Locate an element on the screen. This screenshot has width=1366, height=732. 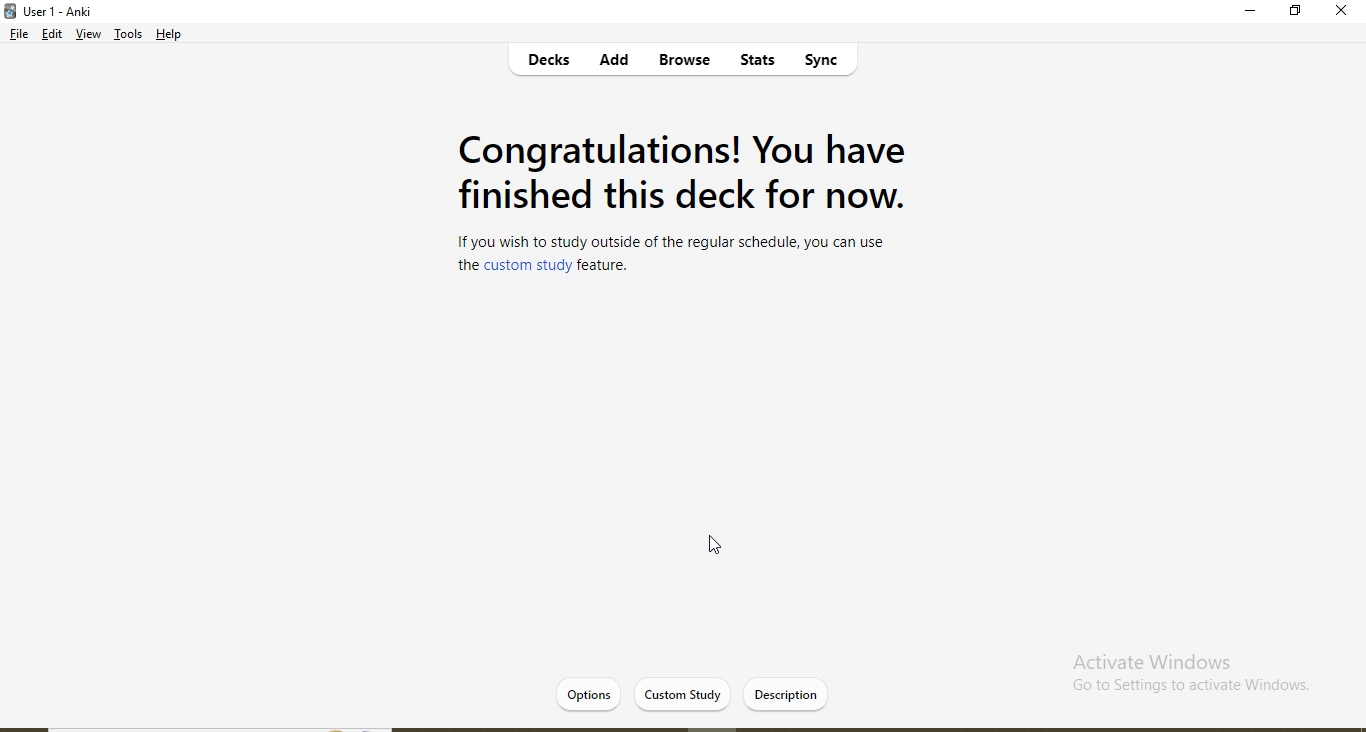
get started is located at coordinates (599, 693).